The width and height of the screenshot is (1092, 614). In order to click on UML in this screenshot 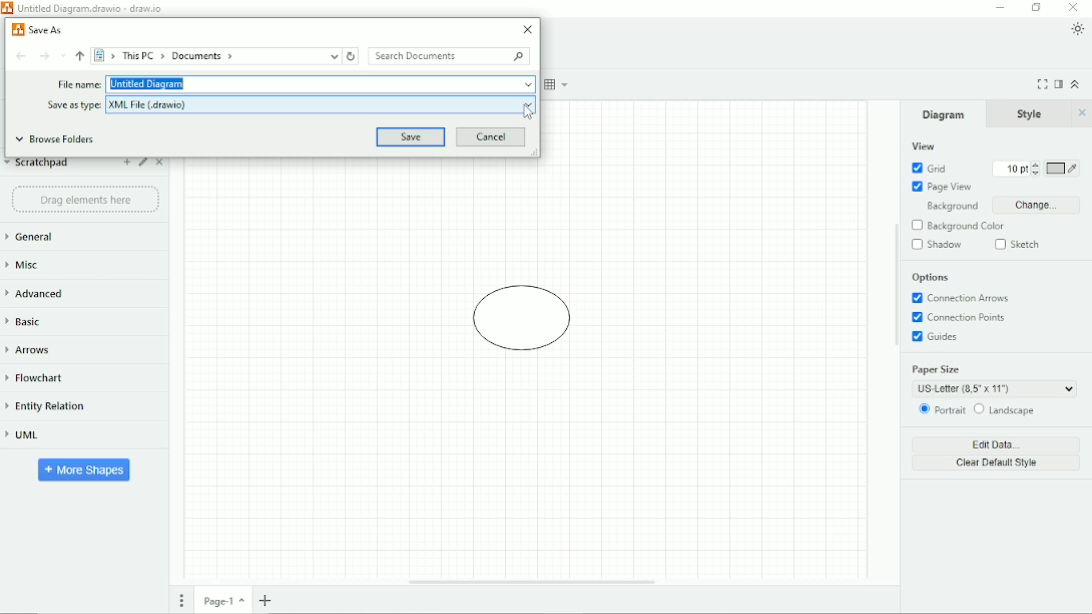, I will do `click(24, 436)`.